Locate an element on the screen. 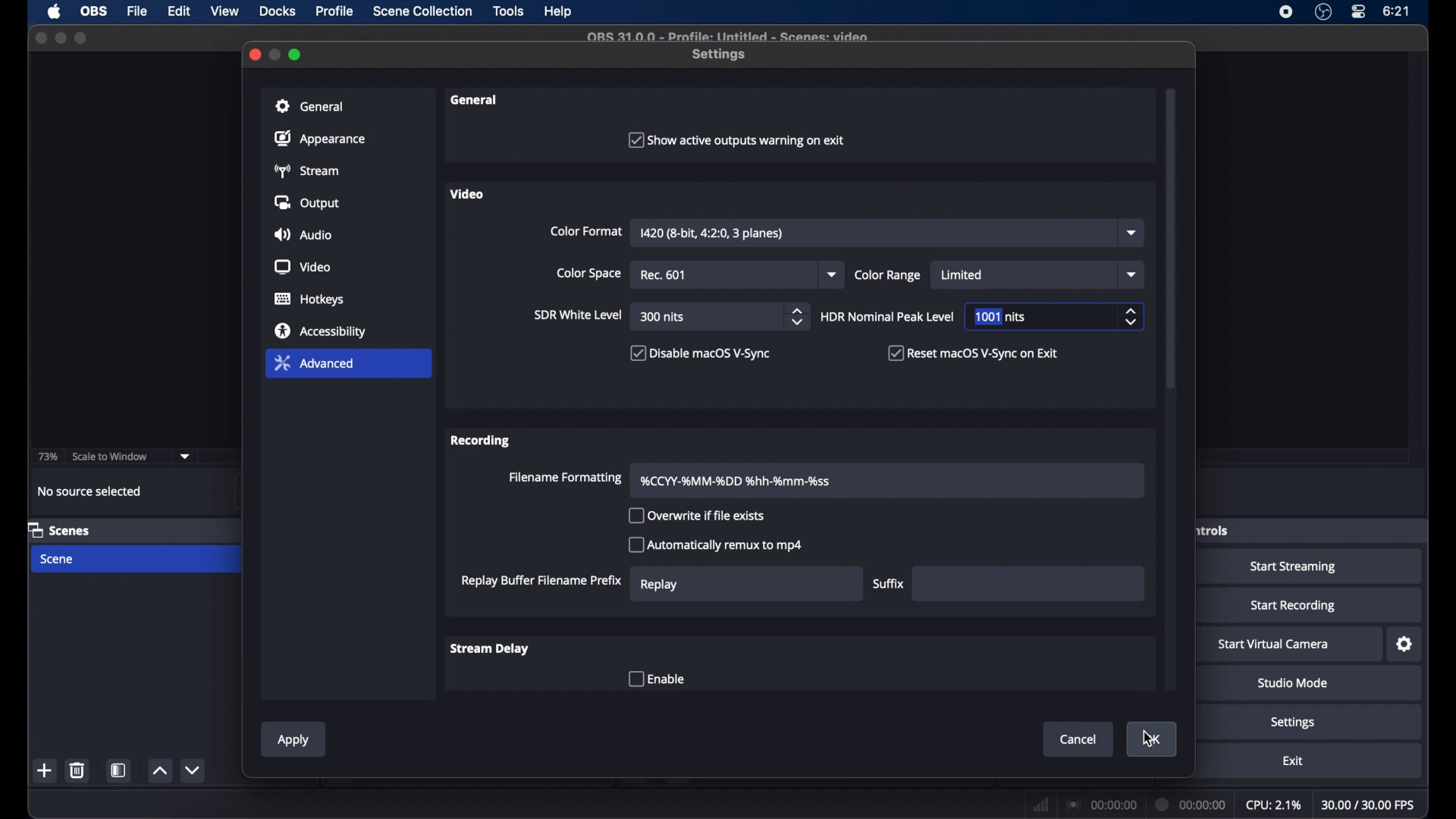  color range is located at coordinates (887, 275).